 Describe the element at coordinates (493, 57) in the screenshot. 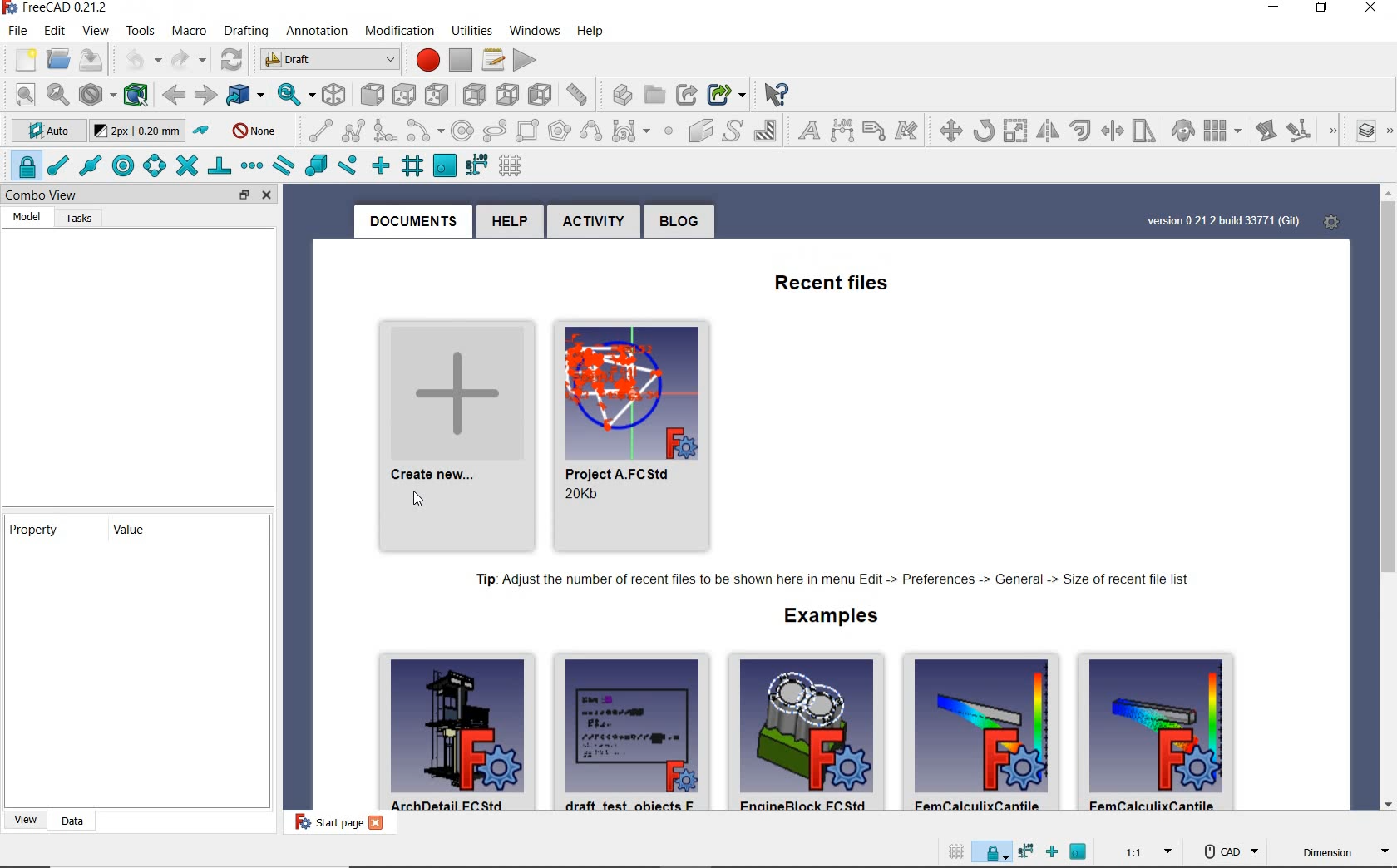

I see `macros` at that location.